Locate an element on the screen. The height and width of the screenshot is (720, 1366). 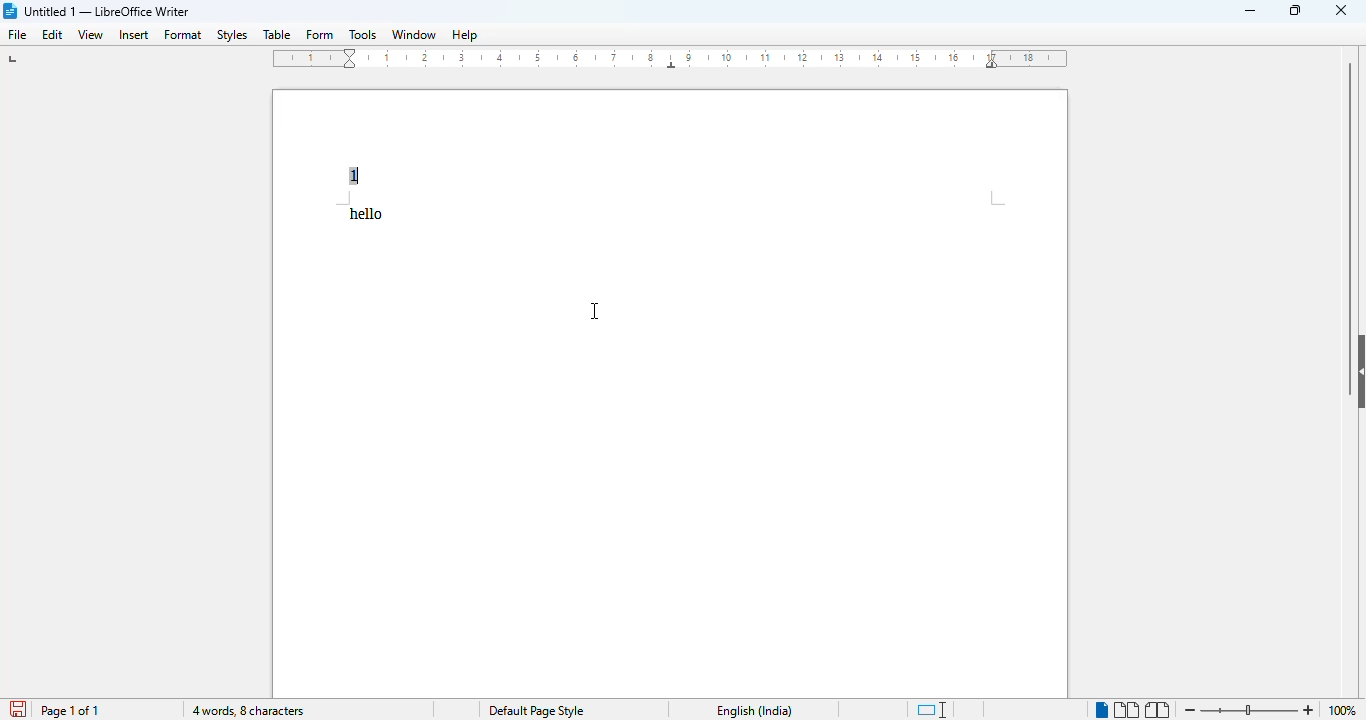
automatic page number in the header inserted is located at coordinates (353, 176).